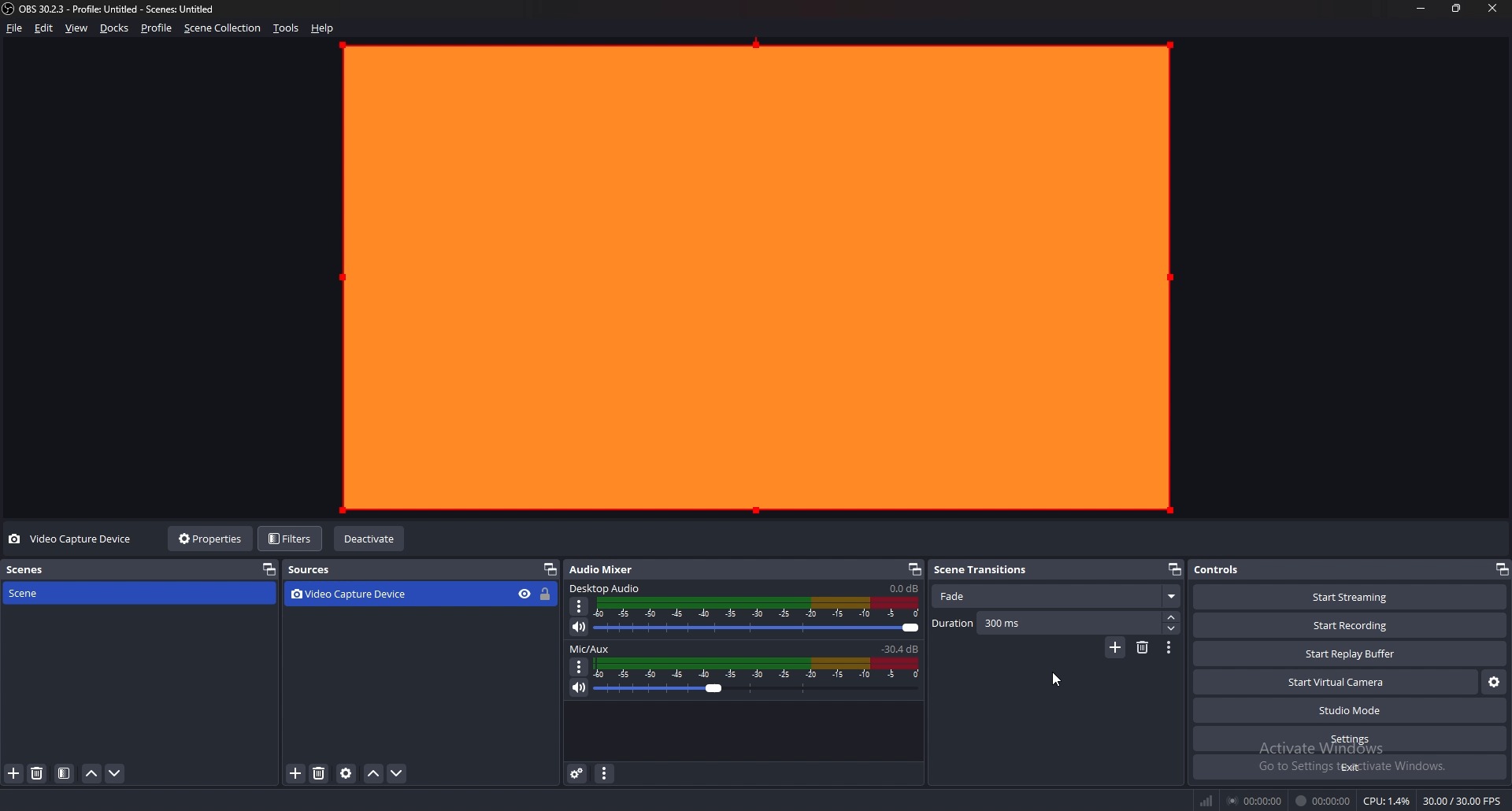  Describe the element at coordinates (1174, 571) in the screenshot. I see `popout` at that location.